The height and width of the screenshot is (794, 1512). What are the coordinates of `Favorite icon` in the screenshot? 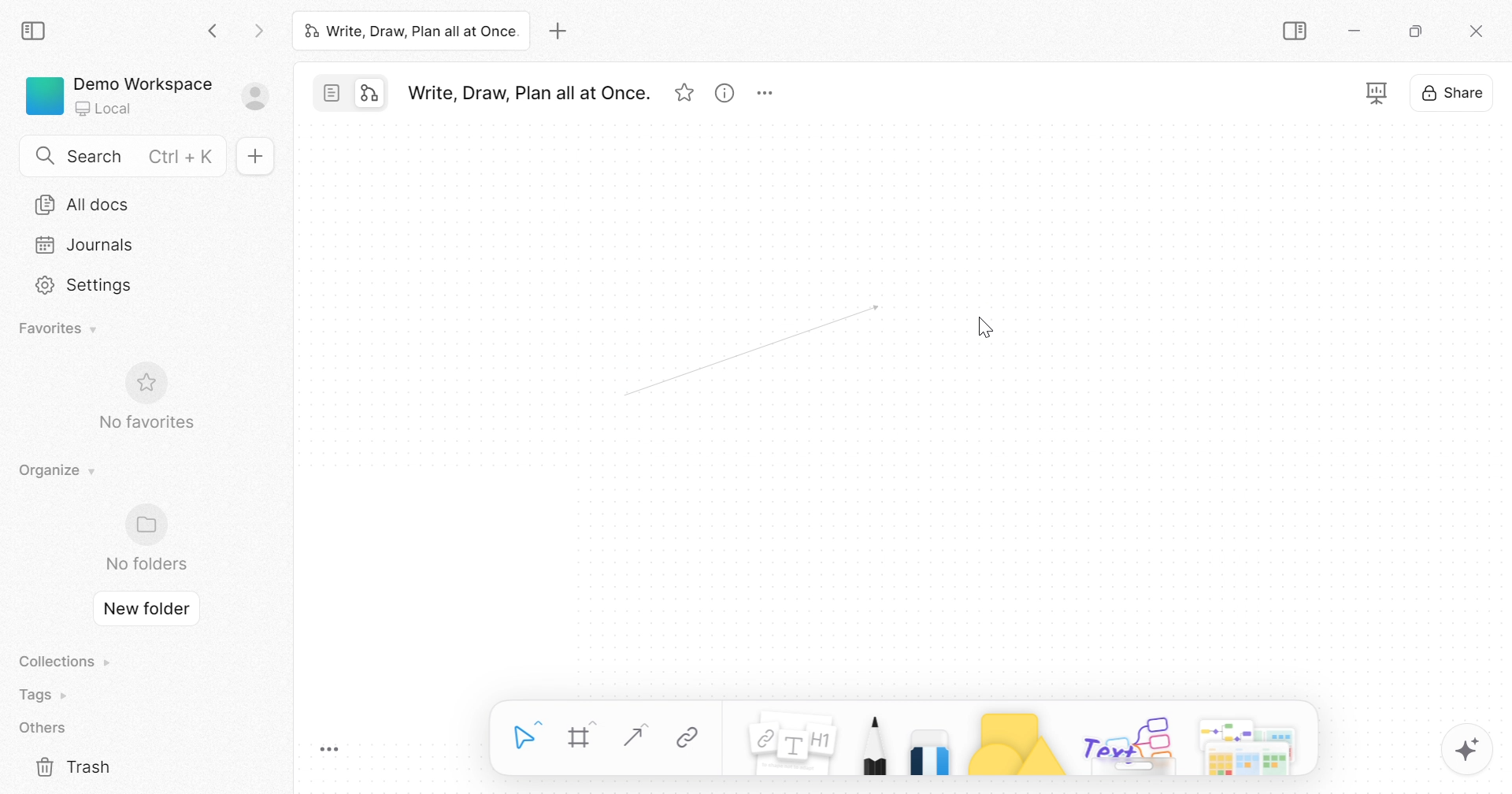 It's located at (150, 383).